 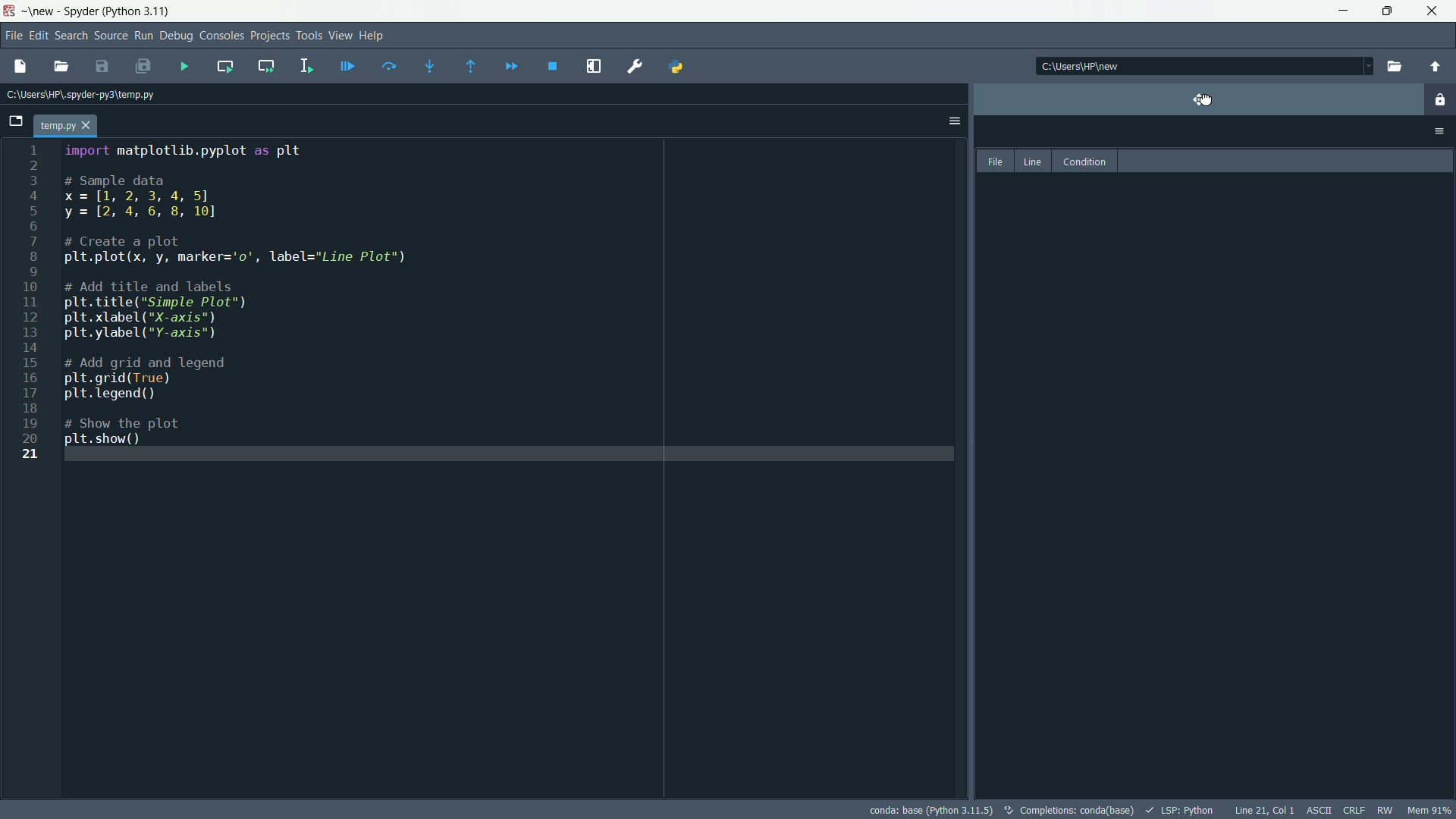 I want to click on continue execution untill next breakdown, so click(x=508, y=65).